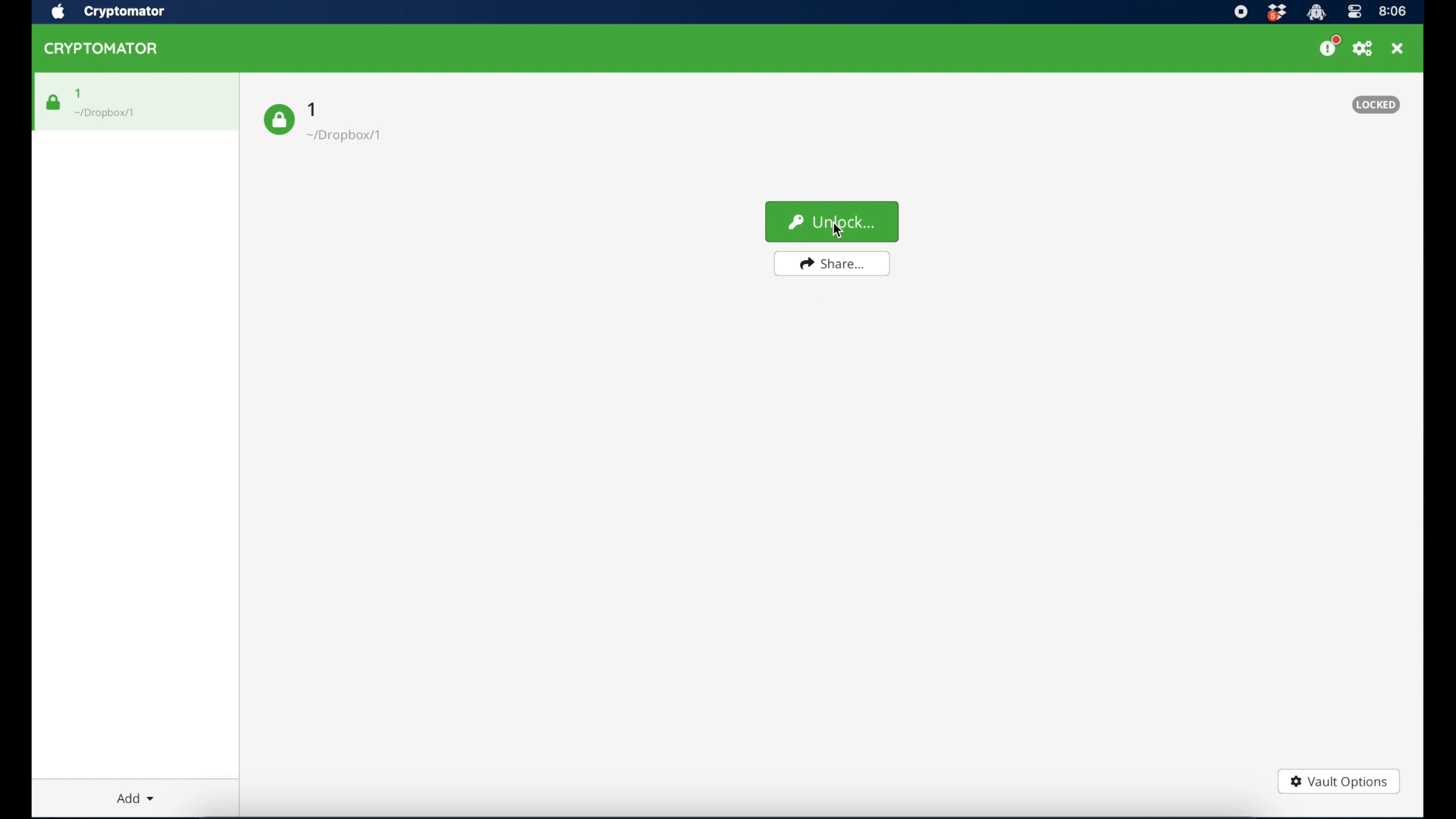  What do you see at coordinates (101, 49) in the screenshot?
I see `cryptomator` at bounding box center [101, 49].